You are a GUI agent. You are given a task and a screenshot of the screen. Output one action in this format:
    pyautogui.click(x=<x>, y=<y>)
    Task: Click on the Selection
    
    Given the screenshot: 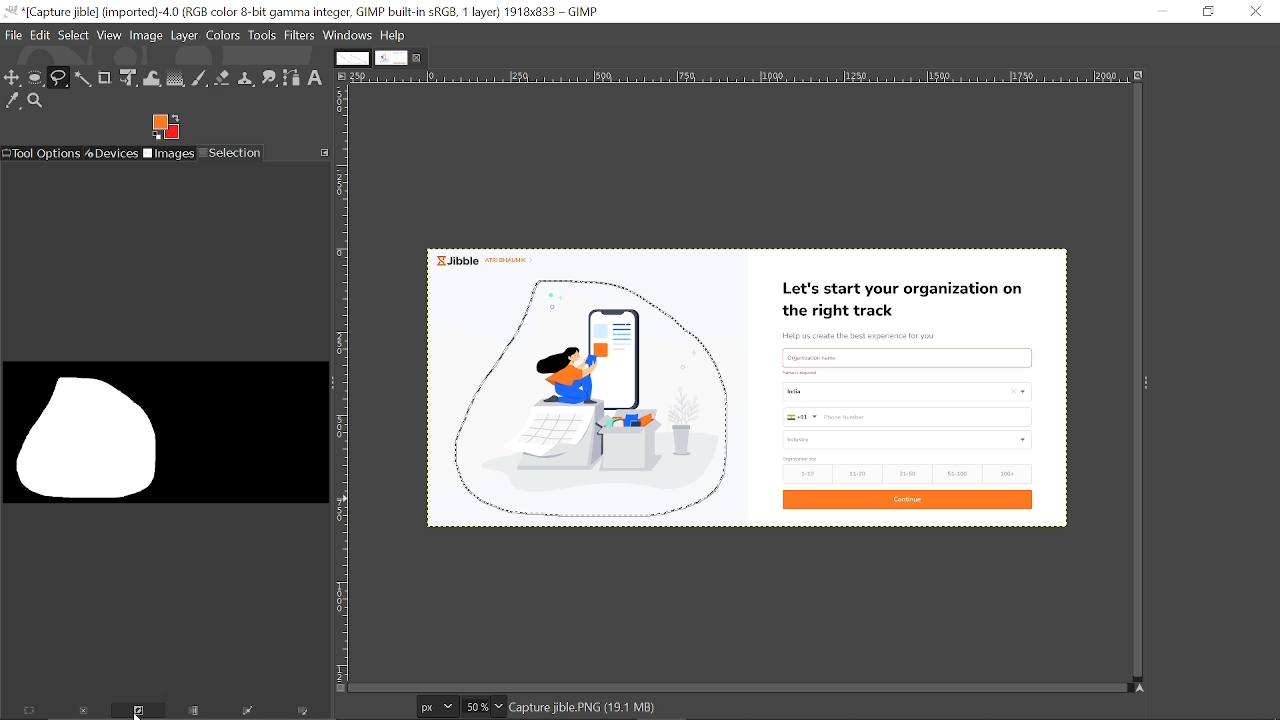 What is the action you would take?
    pyautogui.click(x=231, y=153)
    